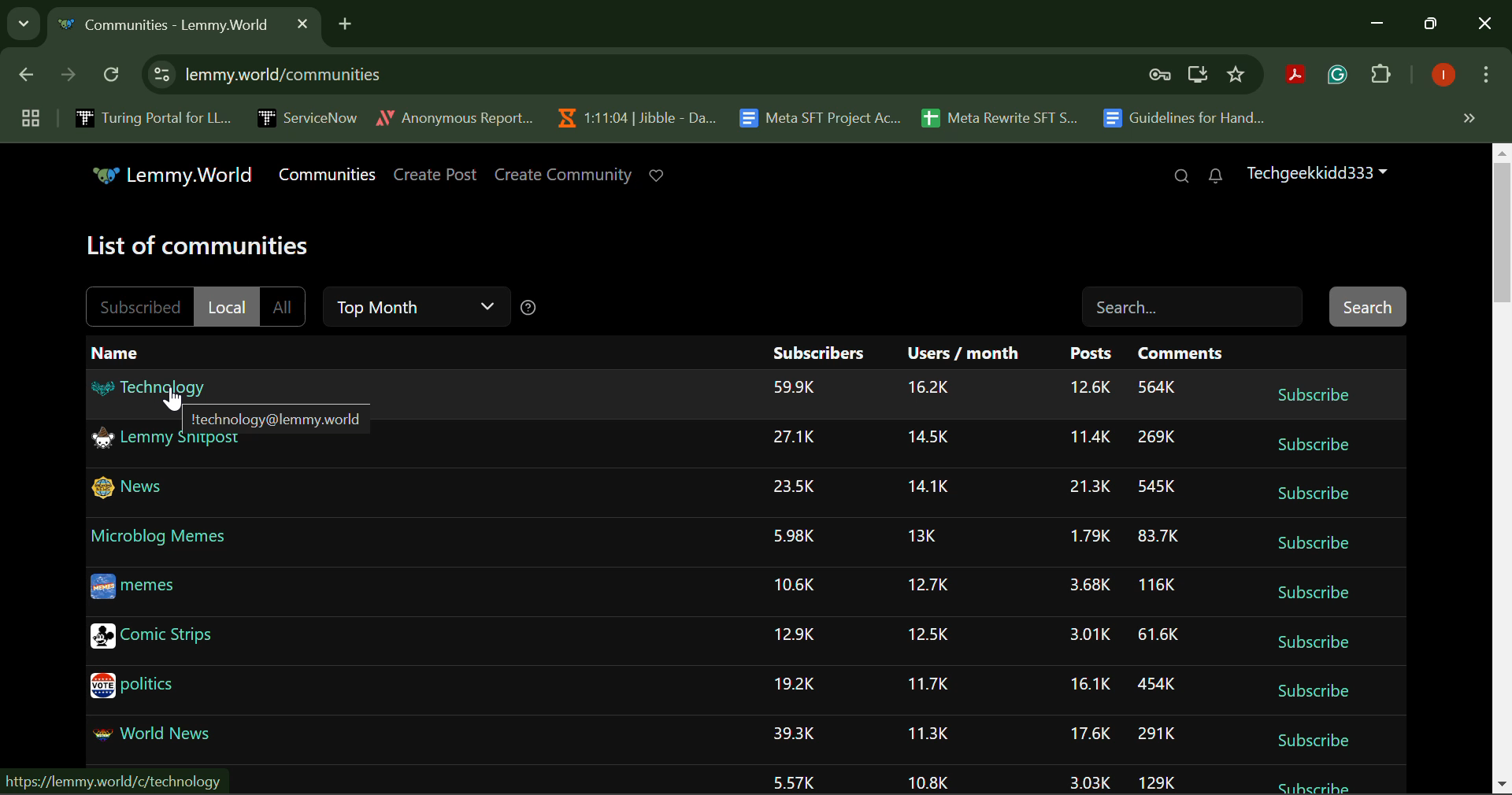  I want to click on Subscriber Column Values, so click(795, 583).